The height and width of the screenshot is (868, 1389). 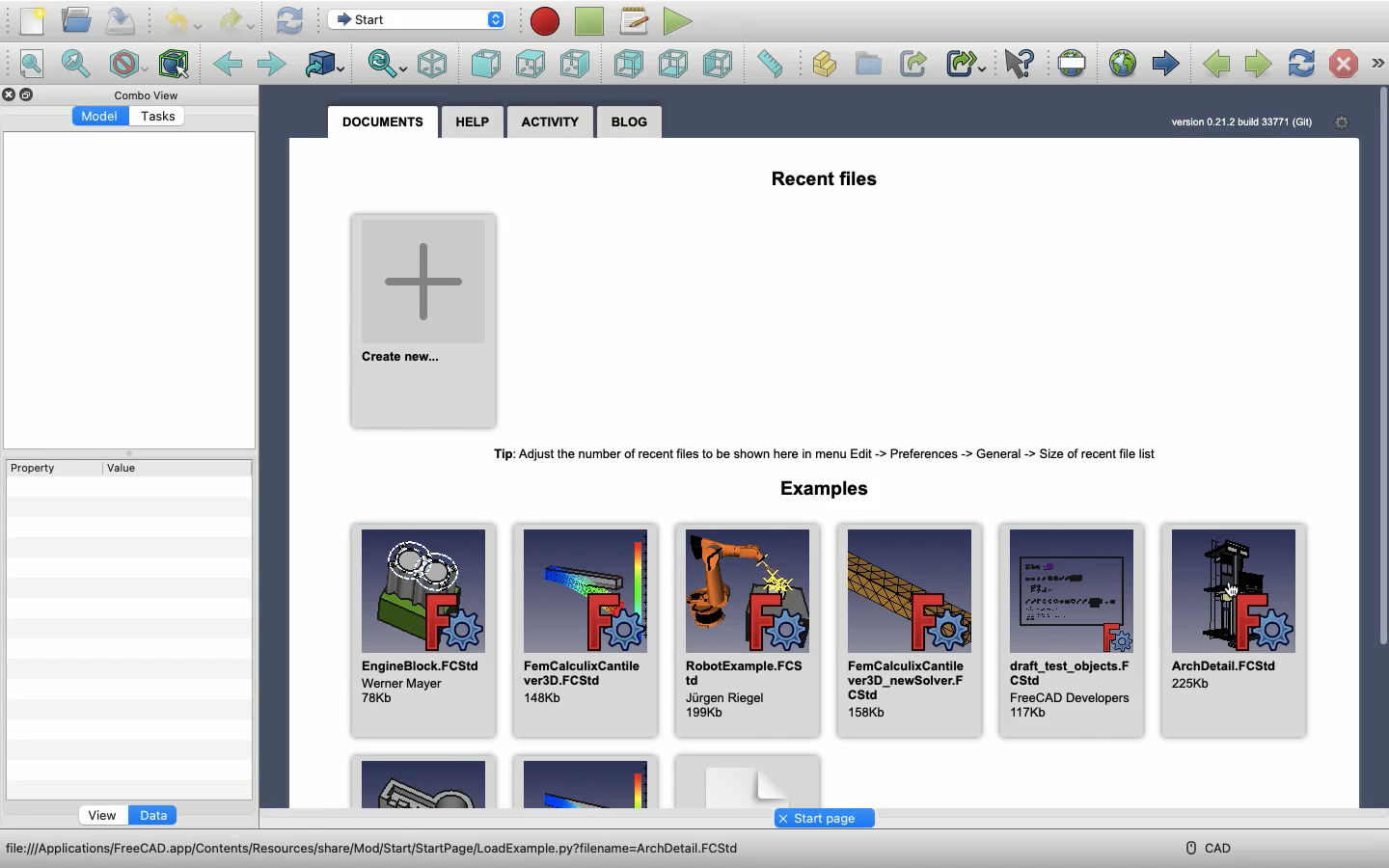 I want to click on Isometric, so click(x=431, y=64).